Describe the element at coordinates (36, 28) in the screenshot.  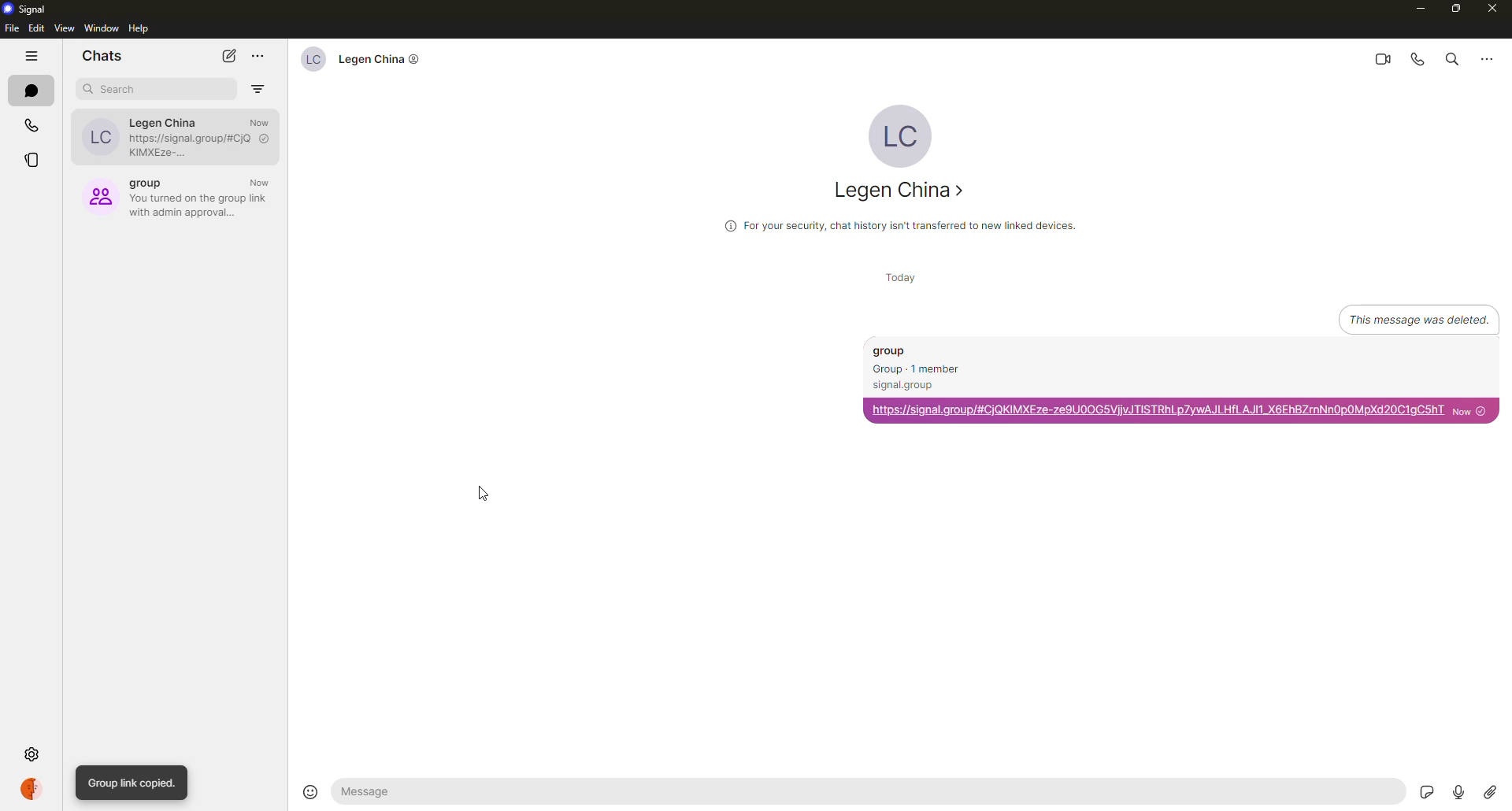
I see `edit` at that location.